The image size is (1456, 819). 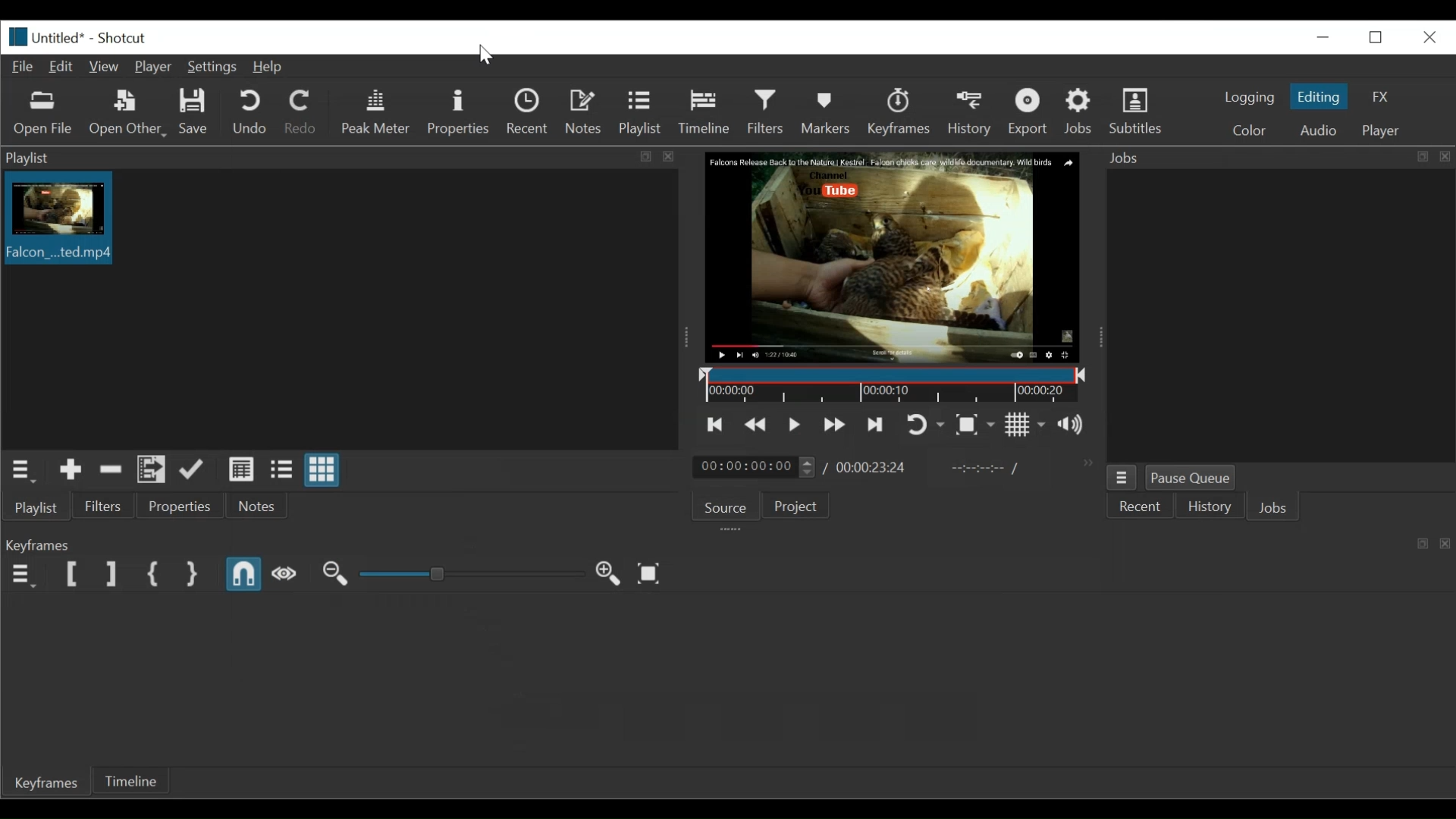 I want to click on Remove cut, so click(x=112, y=473).